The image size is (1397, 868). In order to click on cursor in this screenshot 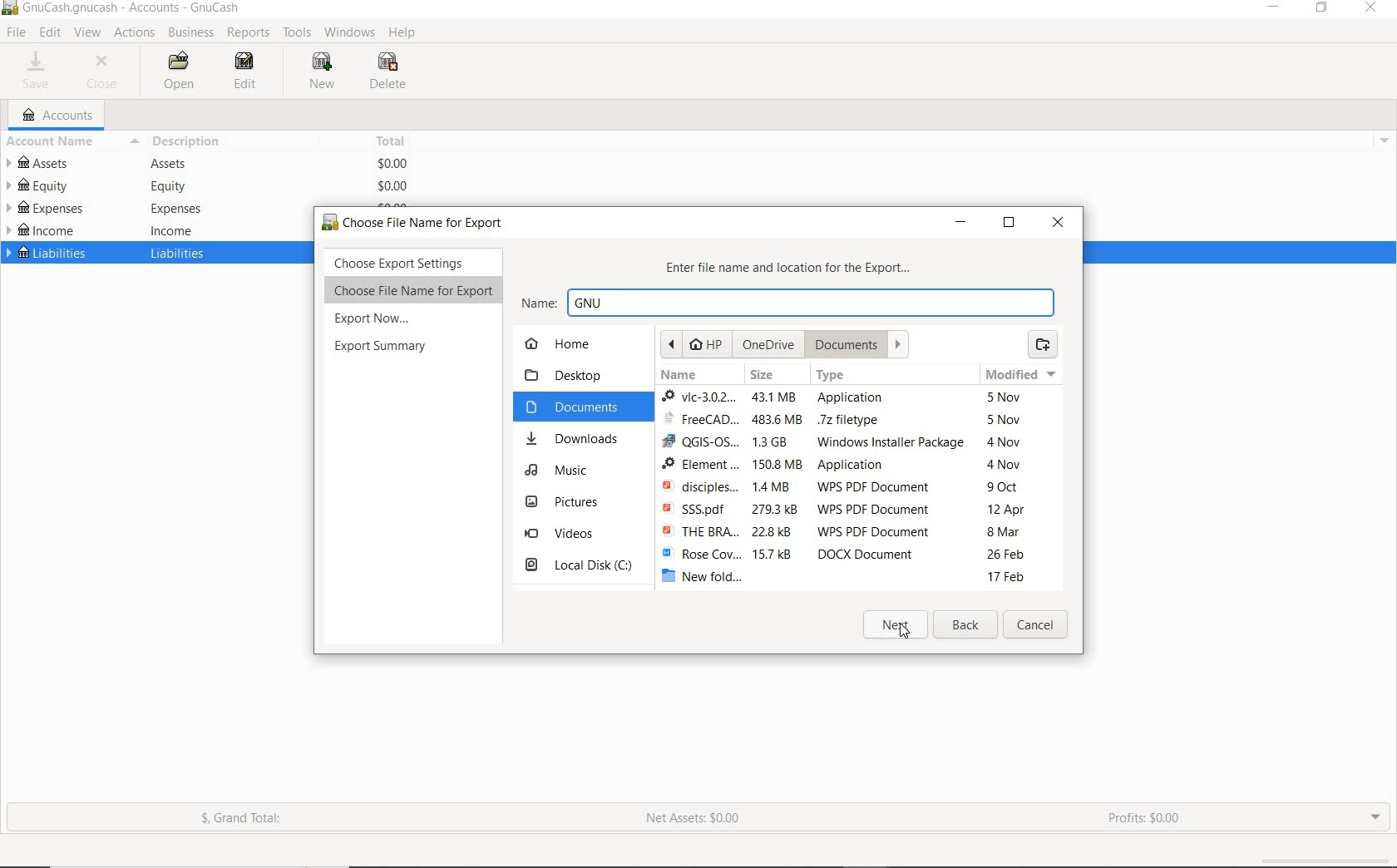, I will do `click(22, 37)`.